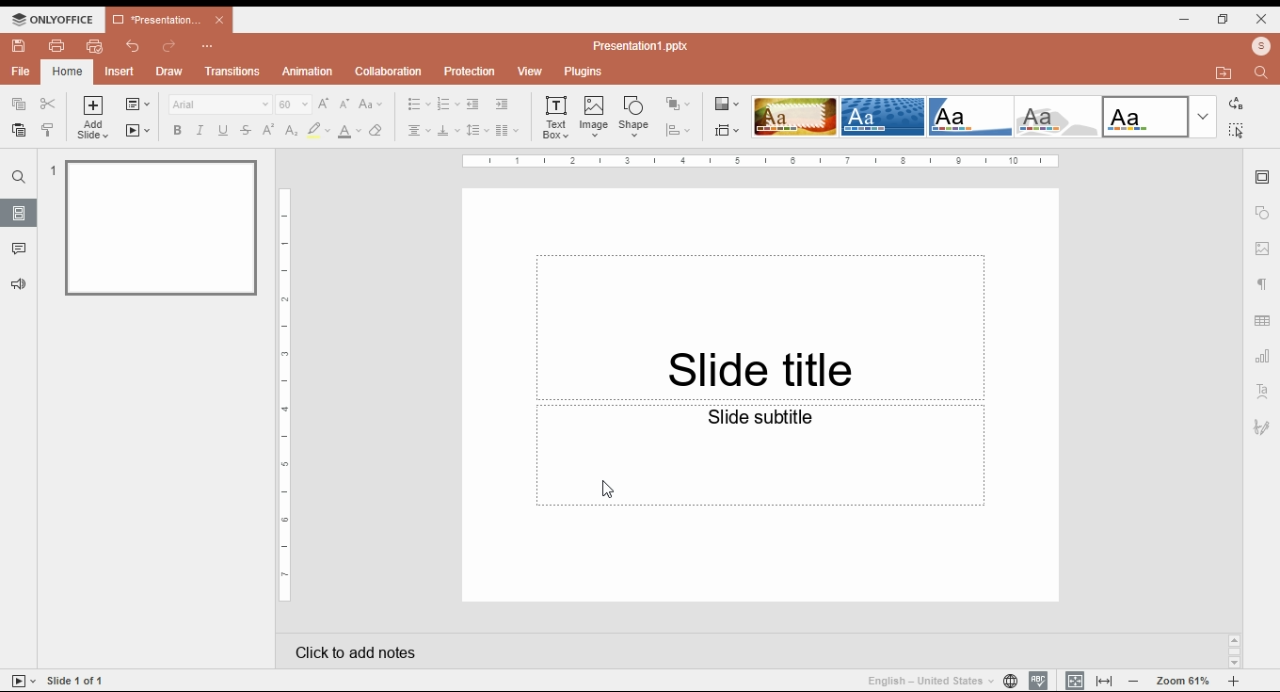 This screenshot has width=1280, height=692. Describe the element at coordinates (469, 72) in the screenshot. I see `protection` at that location.